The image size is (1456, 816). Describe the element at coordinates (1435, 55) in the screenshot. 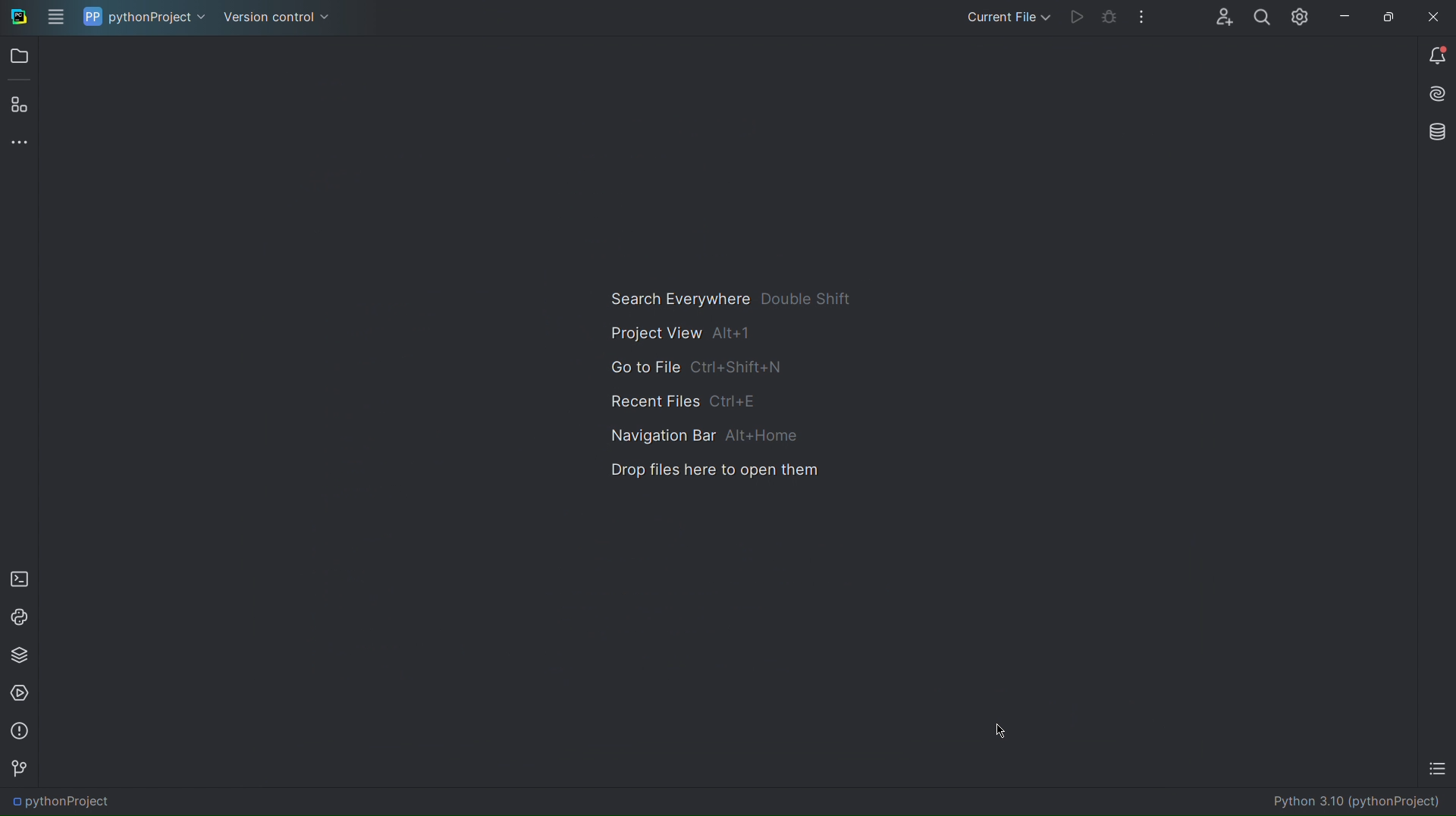

I see `Notifications` at that location.